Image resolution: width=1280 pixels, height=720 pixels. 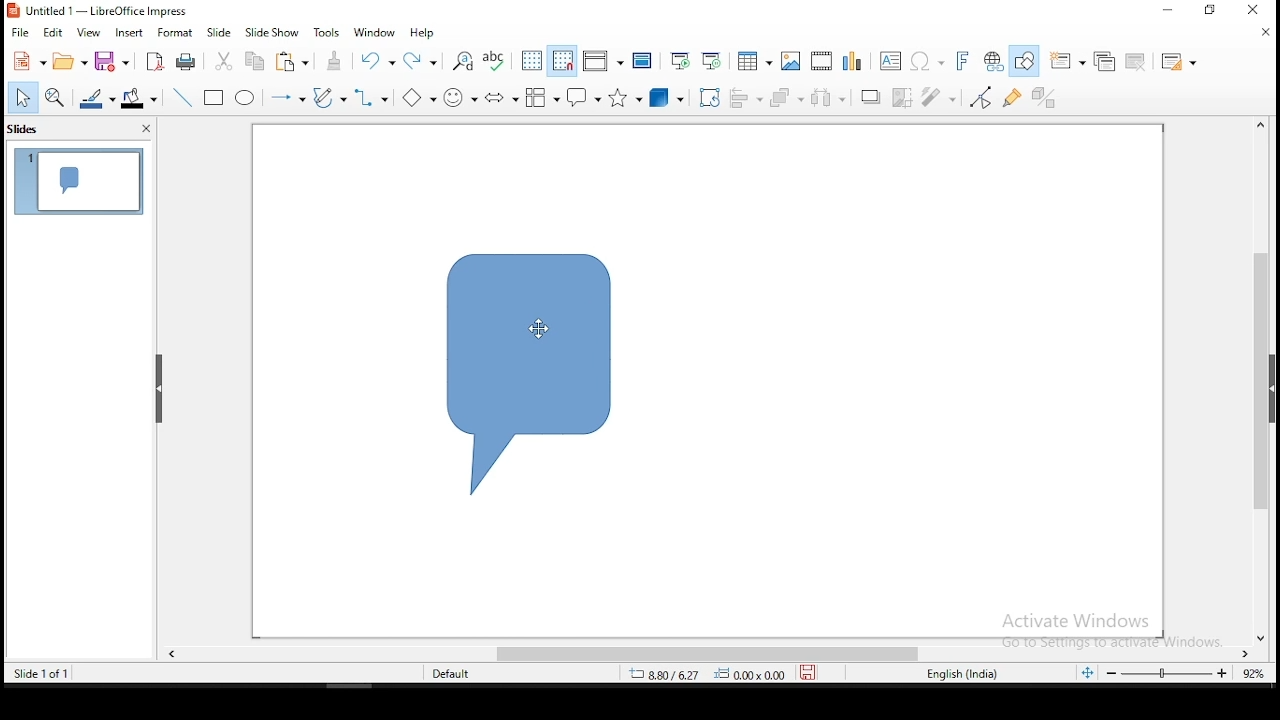 I want to click on fit slide to current window, so click(x=1087, y=673).